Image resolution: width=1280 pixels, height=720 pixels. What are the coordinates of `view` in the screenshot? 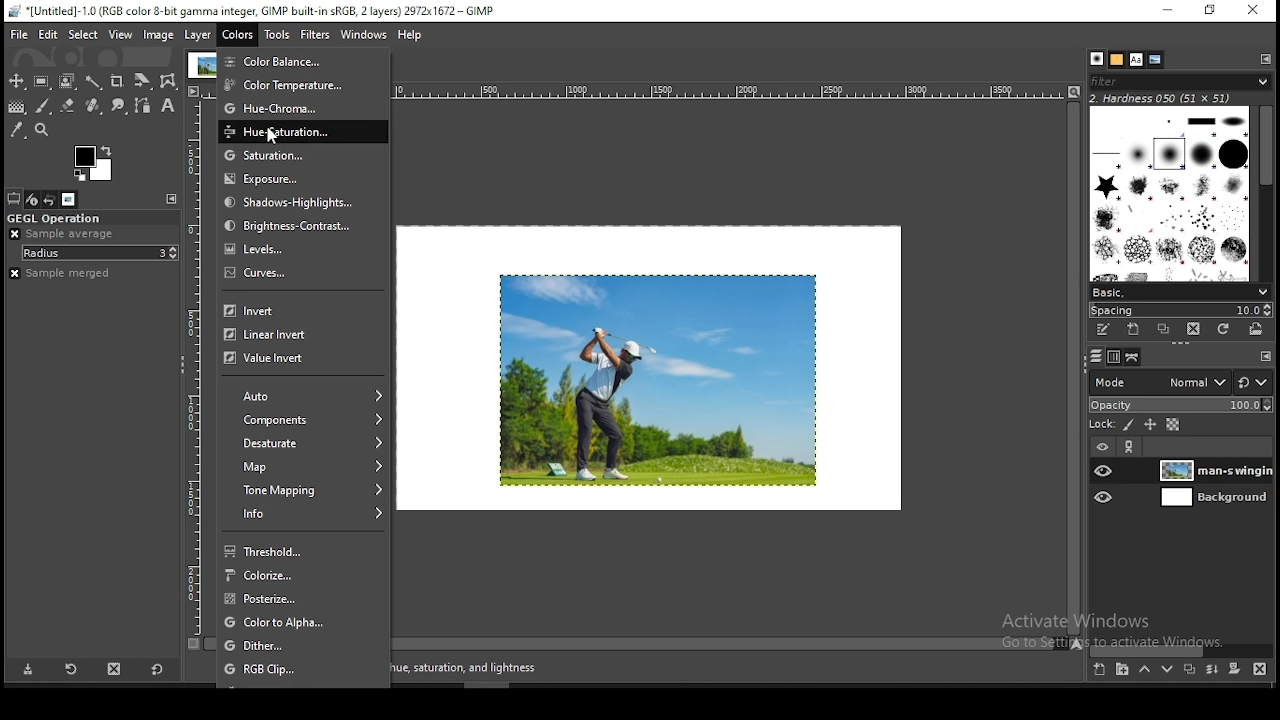 It's located at (120, 35).